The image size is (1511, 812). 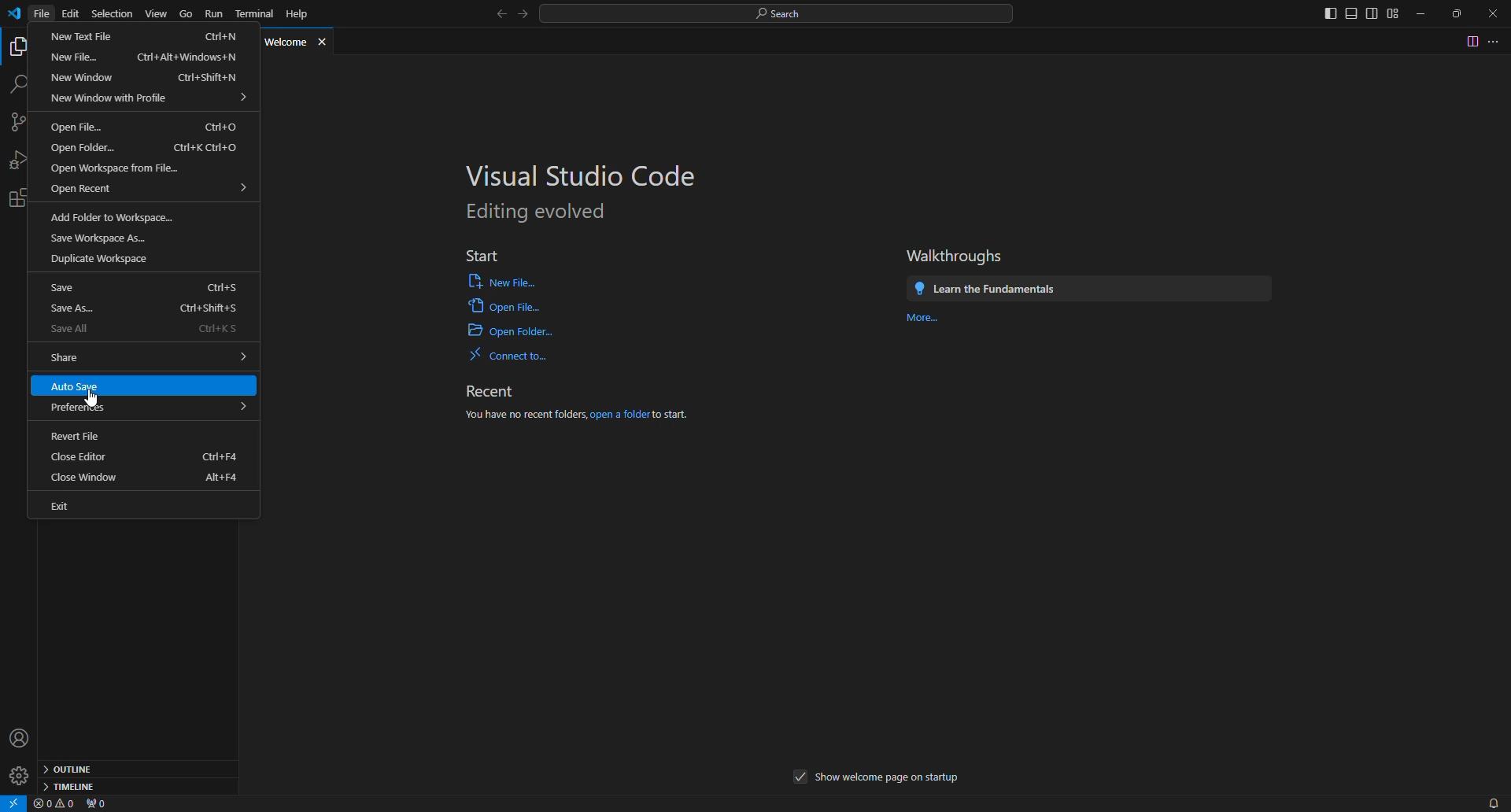 What do you see at coordinates (986, 289) in the screenshot?
I see `learn the fundamentals` at bounding box center [986, 289].